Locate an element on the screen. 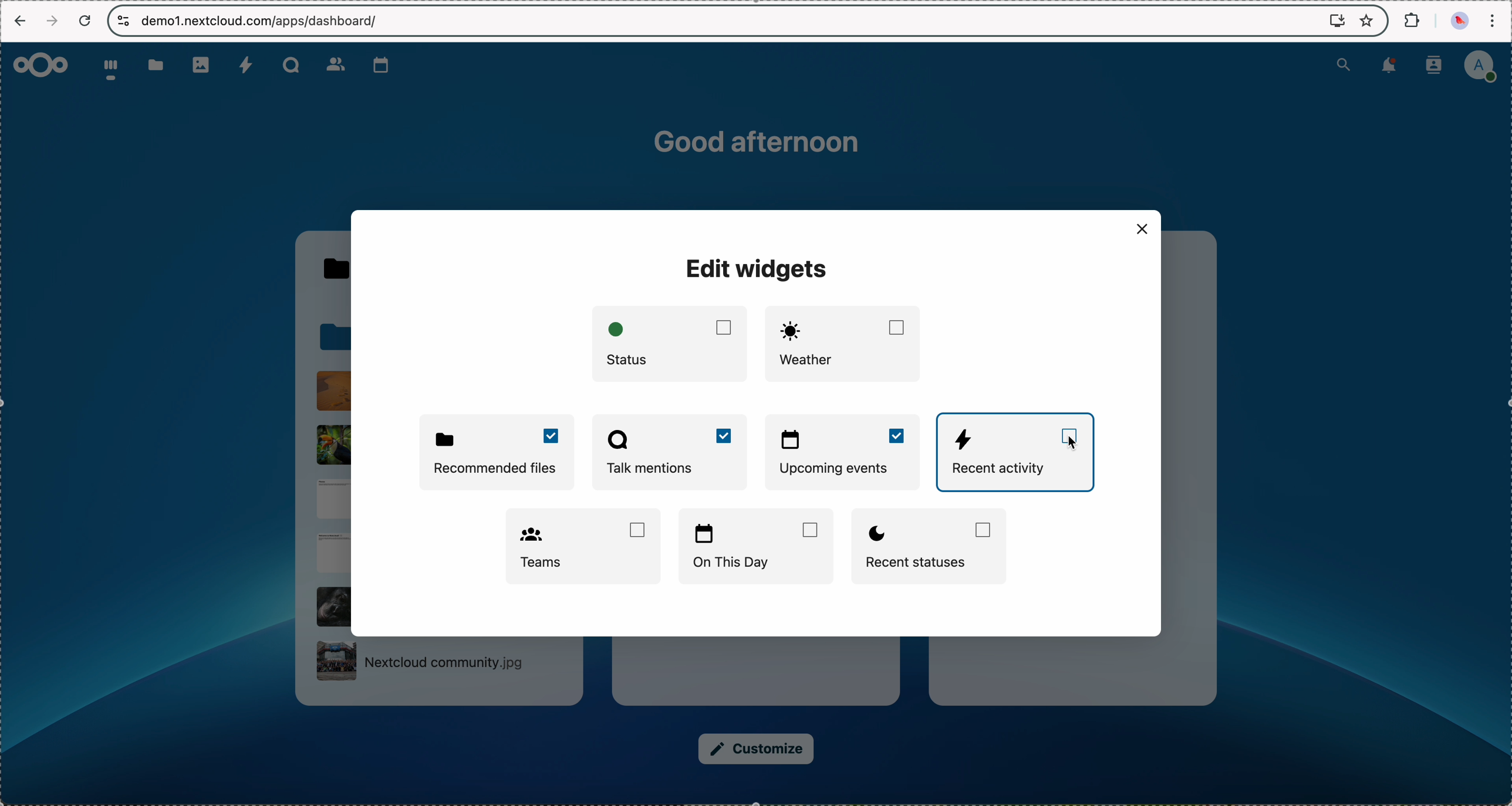 Image resolution: width=1512 pixels, height=806 pixels. navigate back is located at coordinates (19, 22).